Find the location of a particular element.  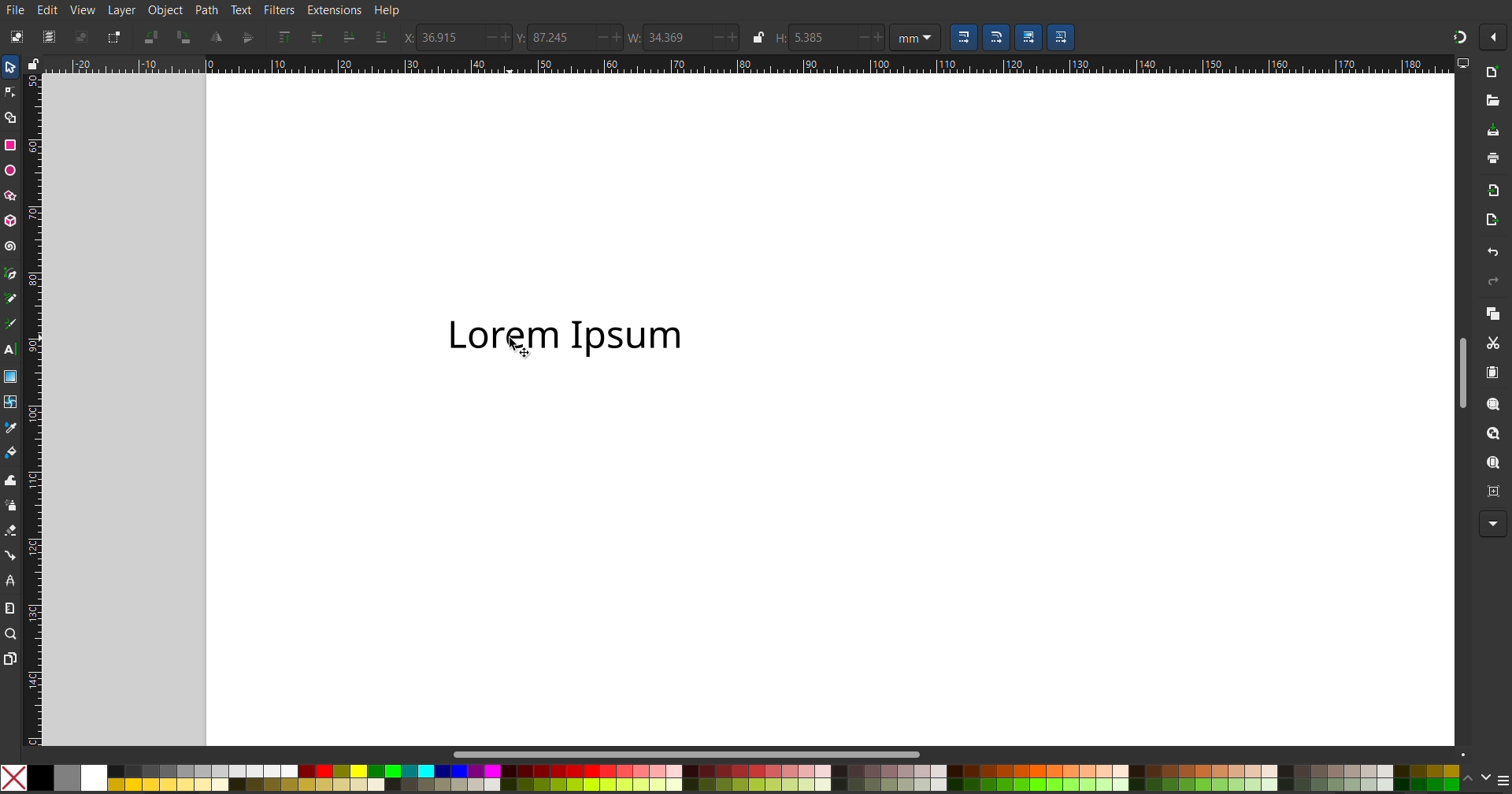

Move to a layer down is located at coordinates (346, 39).